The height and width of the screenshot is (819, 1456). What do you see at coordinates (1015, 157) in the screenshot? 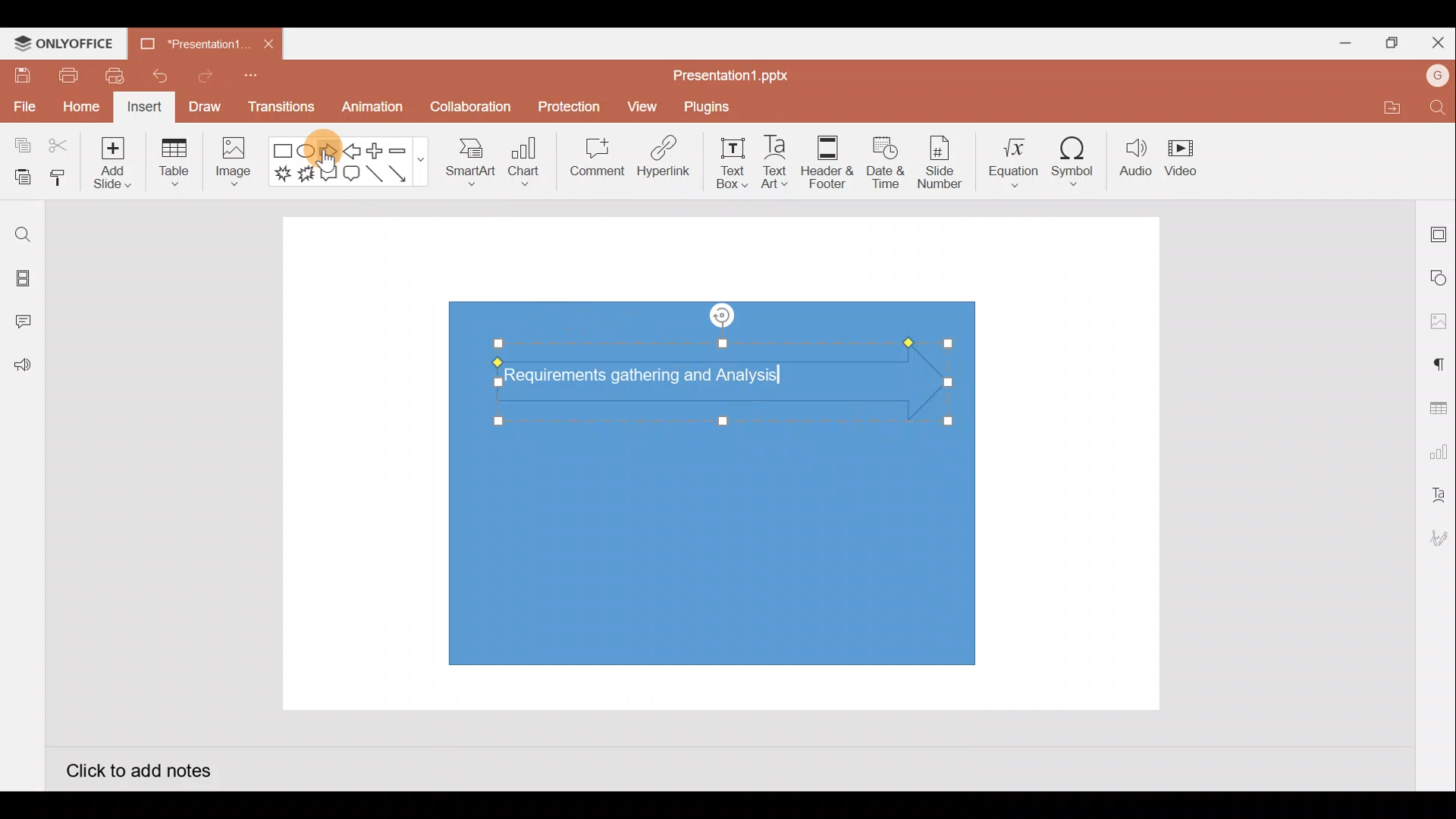
I see `Equation` at bounding box center [1015, 157].